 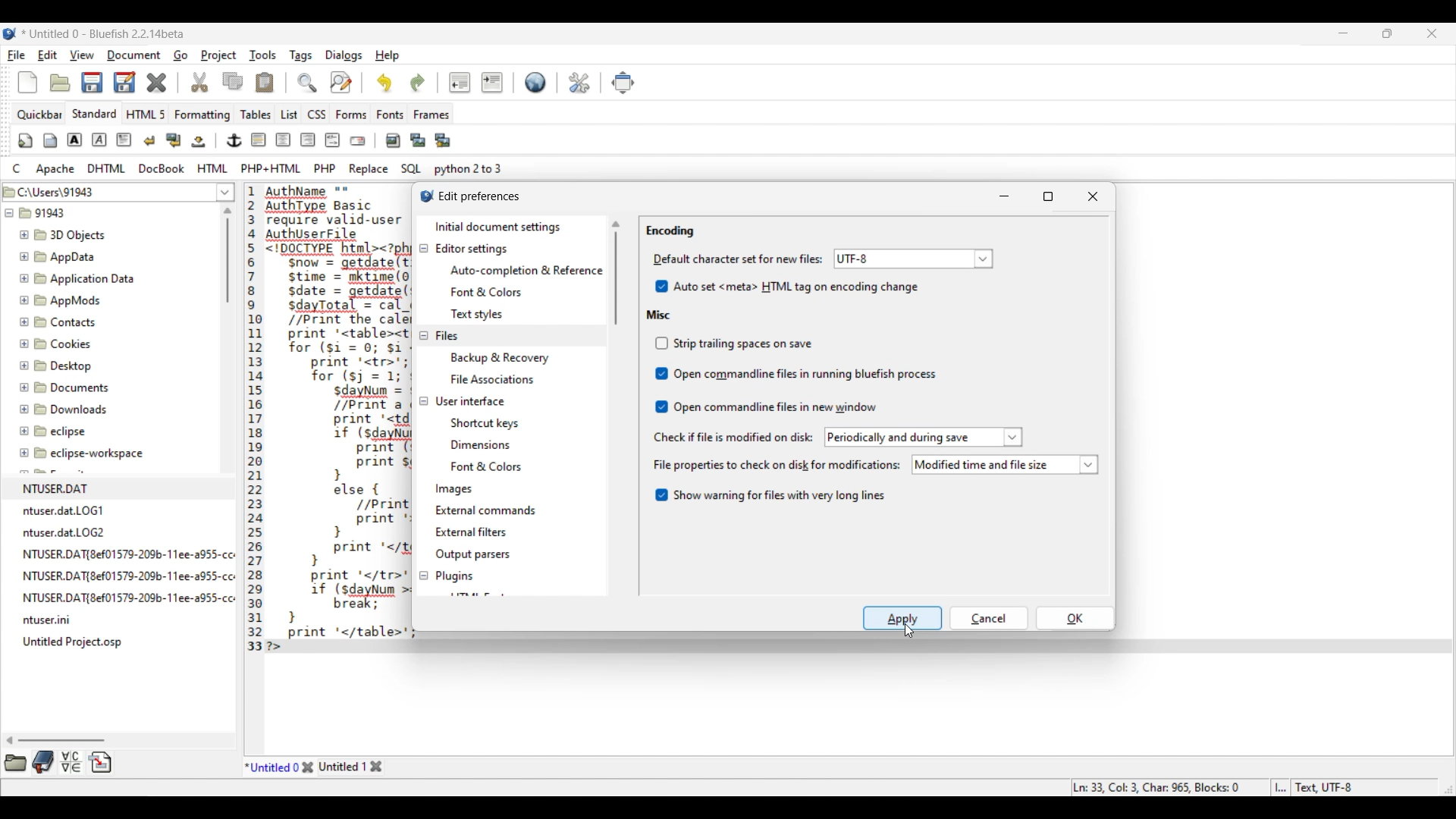 What do you see at coordinates (424, 413) in the screenshot?
I see `Collapse` at bounding box center [424, 413].